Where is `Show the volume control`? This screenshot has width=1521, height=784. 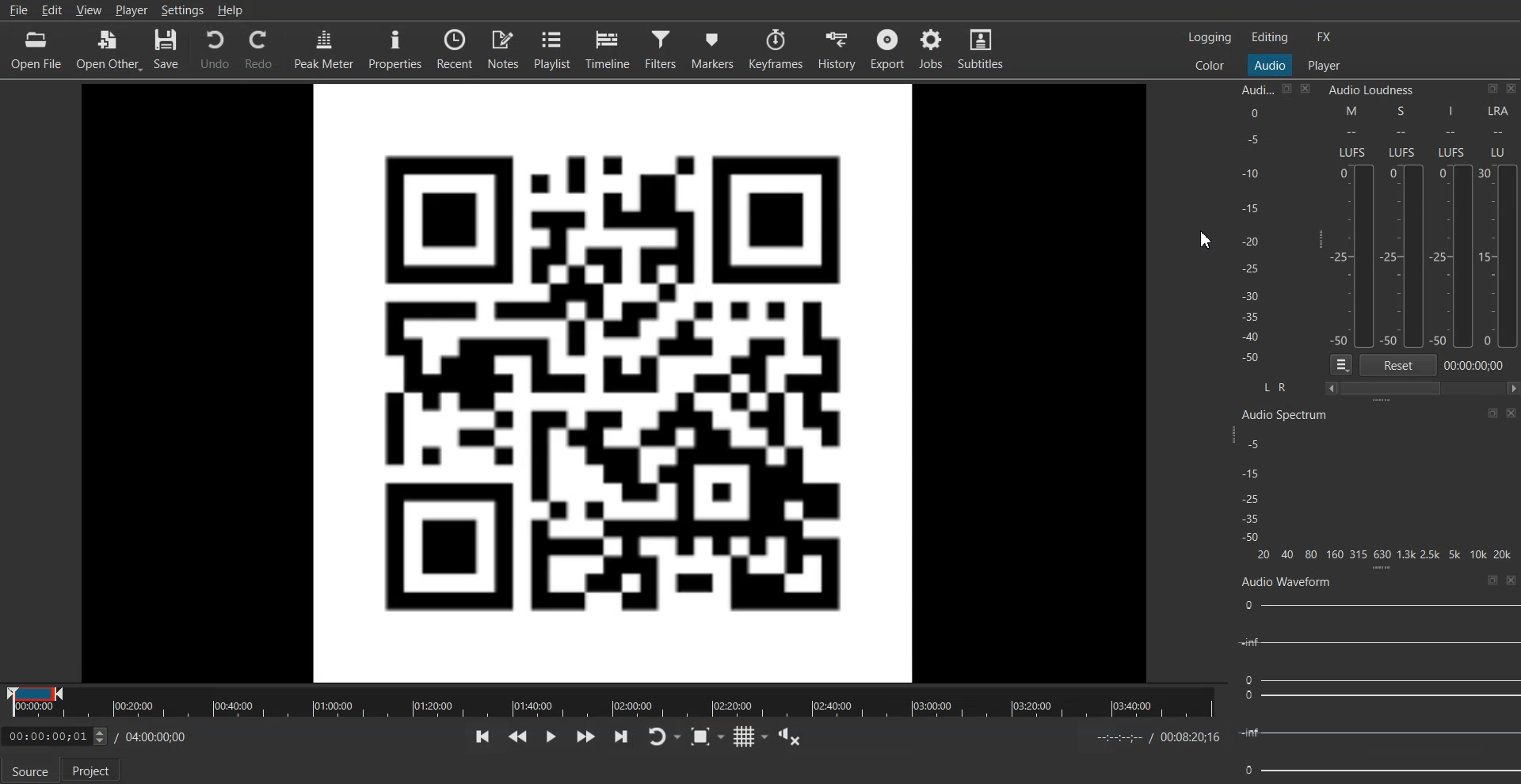
Show the volume control is located at coordinates (788, 736).